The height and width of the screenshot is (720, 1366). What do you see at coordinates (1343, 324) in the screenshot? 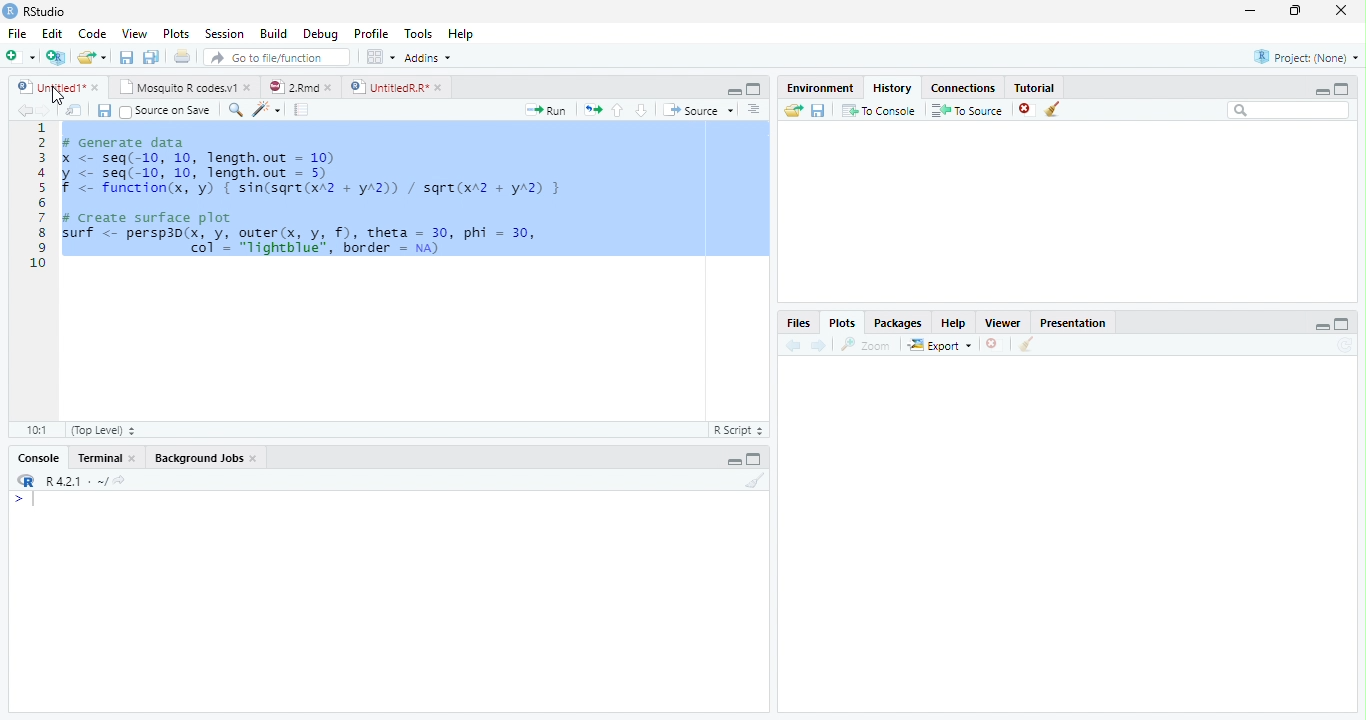
I see `maximize` at bounding box center [1343, 324].